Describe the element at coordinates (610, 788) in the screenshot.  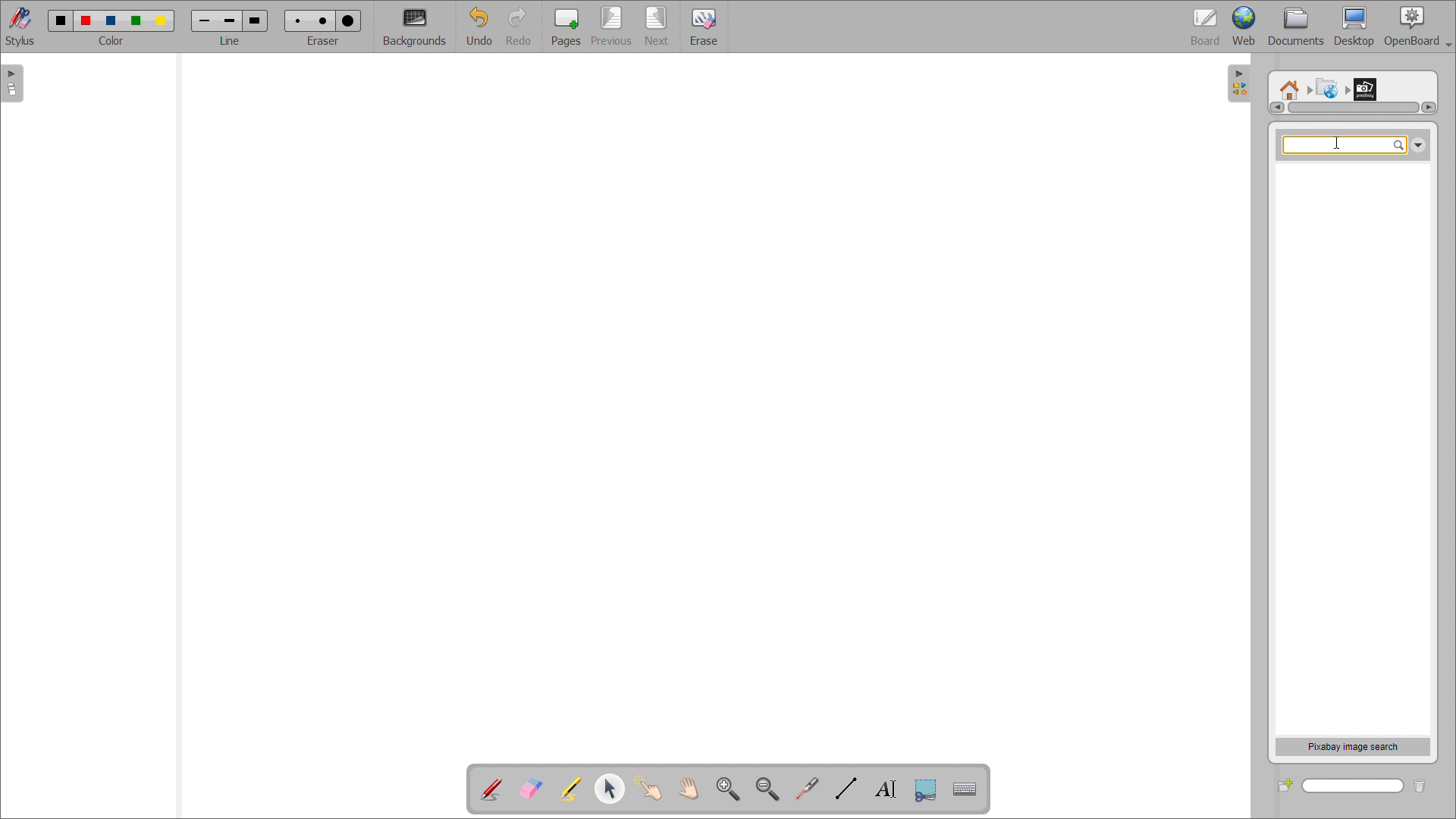
I see `select object and modify` at that location.